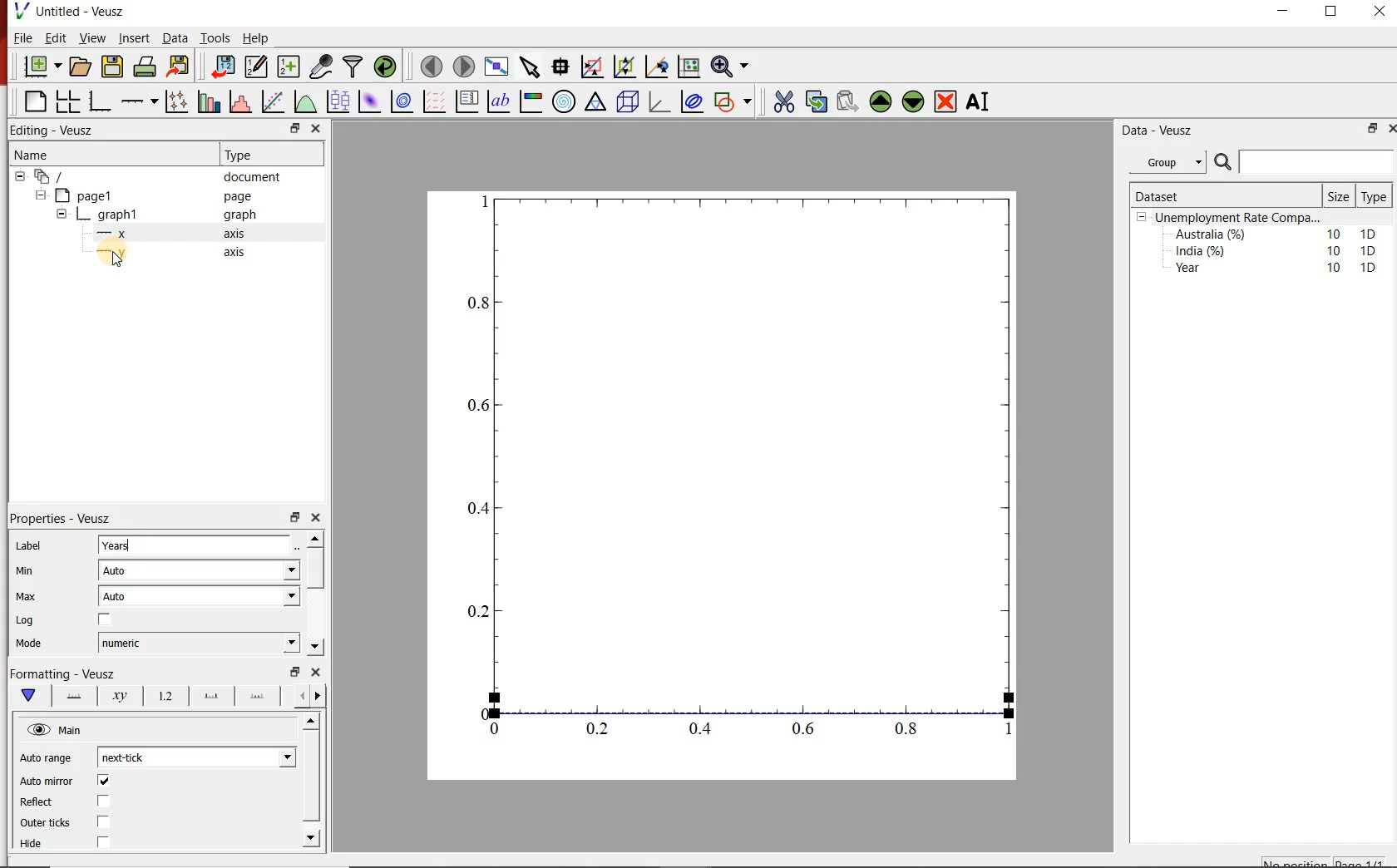 Image resolution: width=1397 pixels, height=868 pixels. I want to click on read the data points, so click(562, 66).